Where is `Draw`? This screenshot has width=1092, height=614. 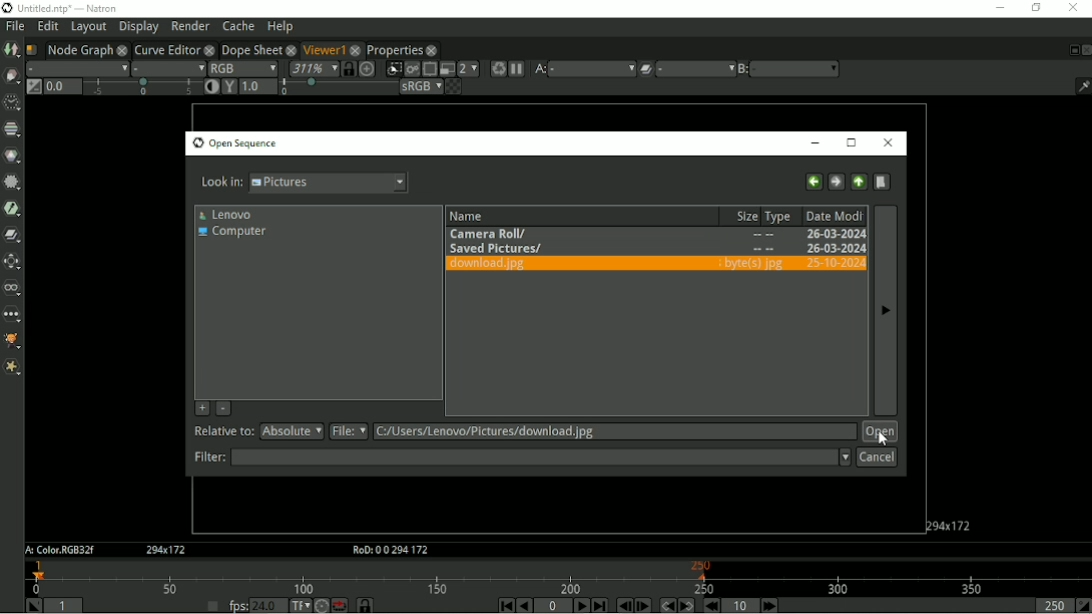
Draw is located at coordinates (11, 76).